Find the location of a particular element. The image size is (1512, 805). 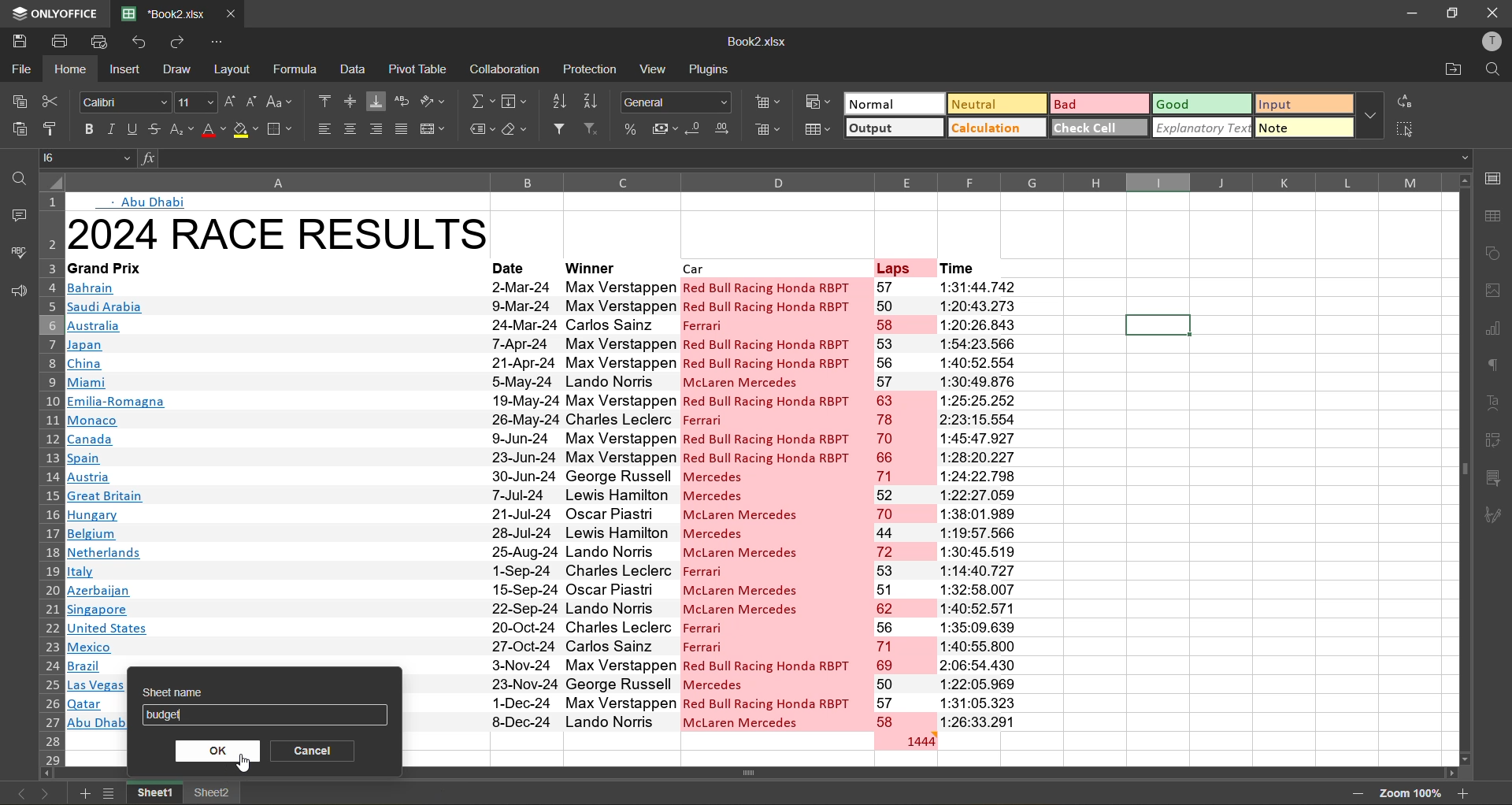

summation is located at coordinates (484, 100).